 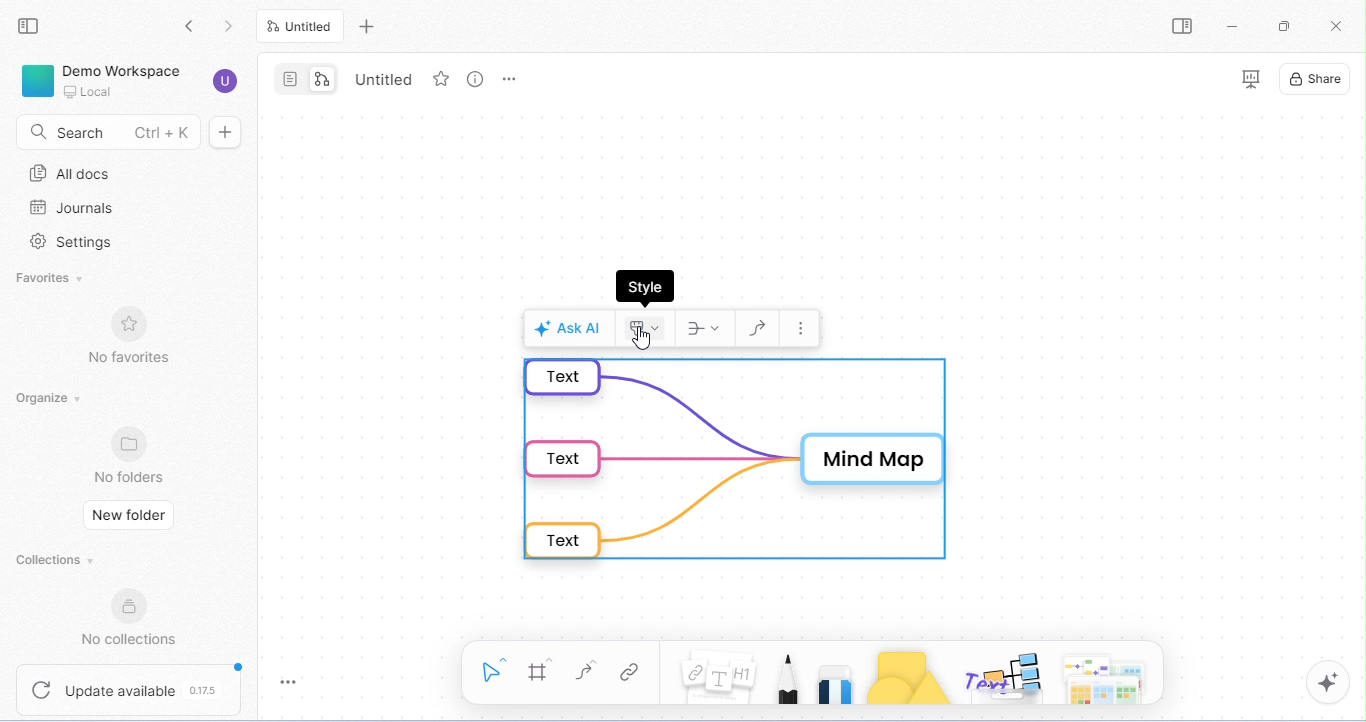 What do you see at coordinates (224, 80) in the screenshot?
I see `account` at bounding box center [224, 80].